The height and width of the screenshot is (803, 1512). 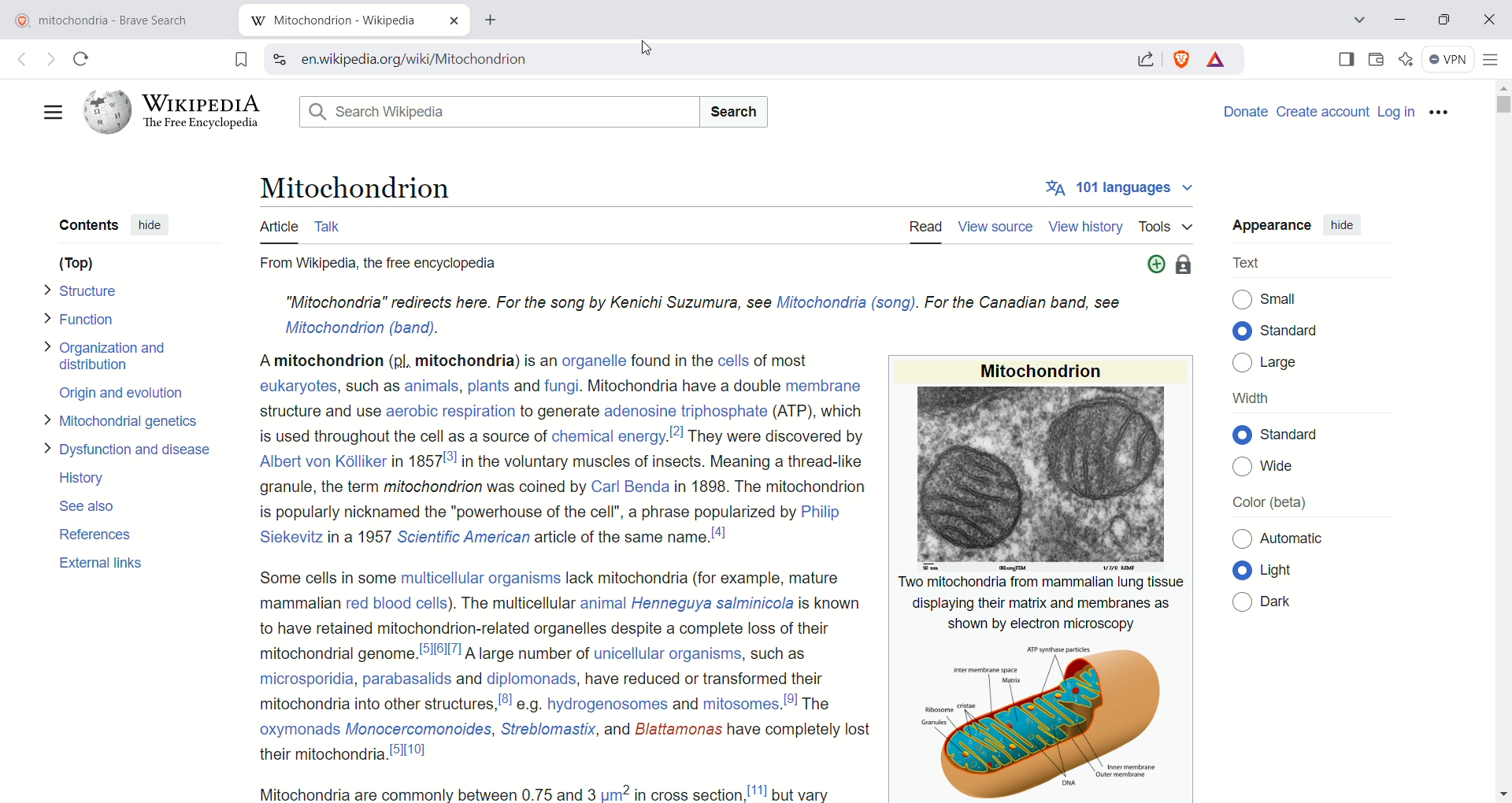 I want to click on rewards, so click(x=1217, y=58).